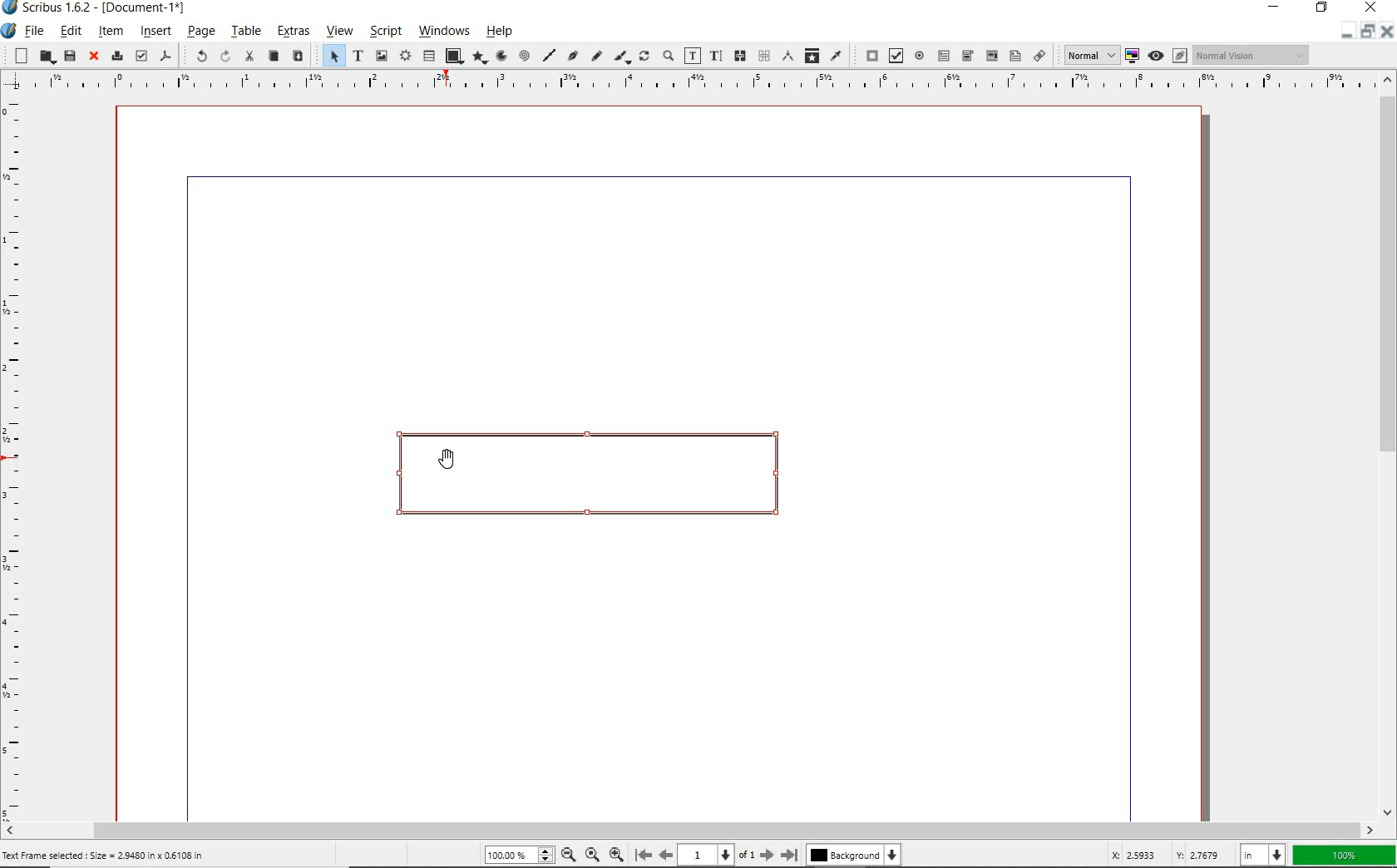  I want to click on Text annotation, so click(1014, 57).